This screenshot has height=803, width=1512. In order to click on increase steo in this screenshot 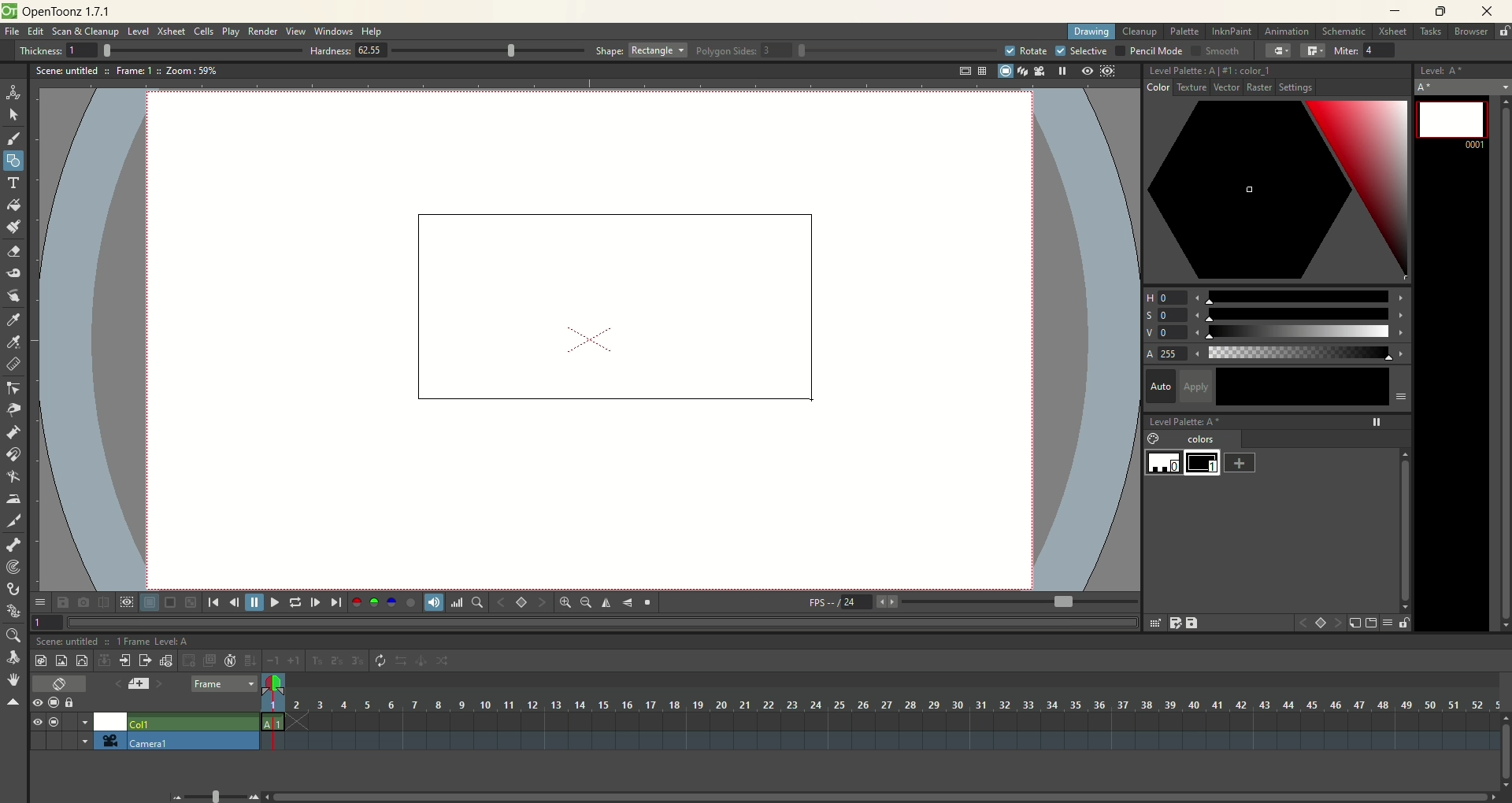, I will do `click(296, 661)`.